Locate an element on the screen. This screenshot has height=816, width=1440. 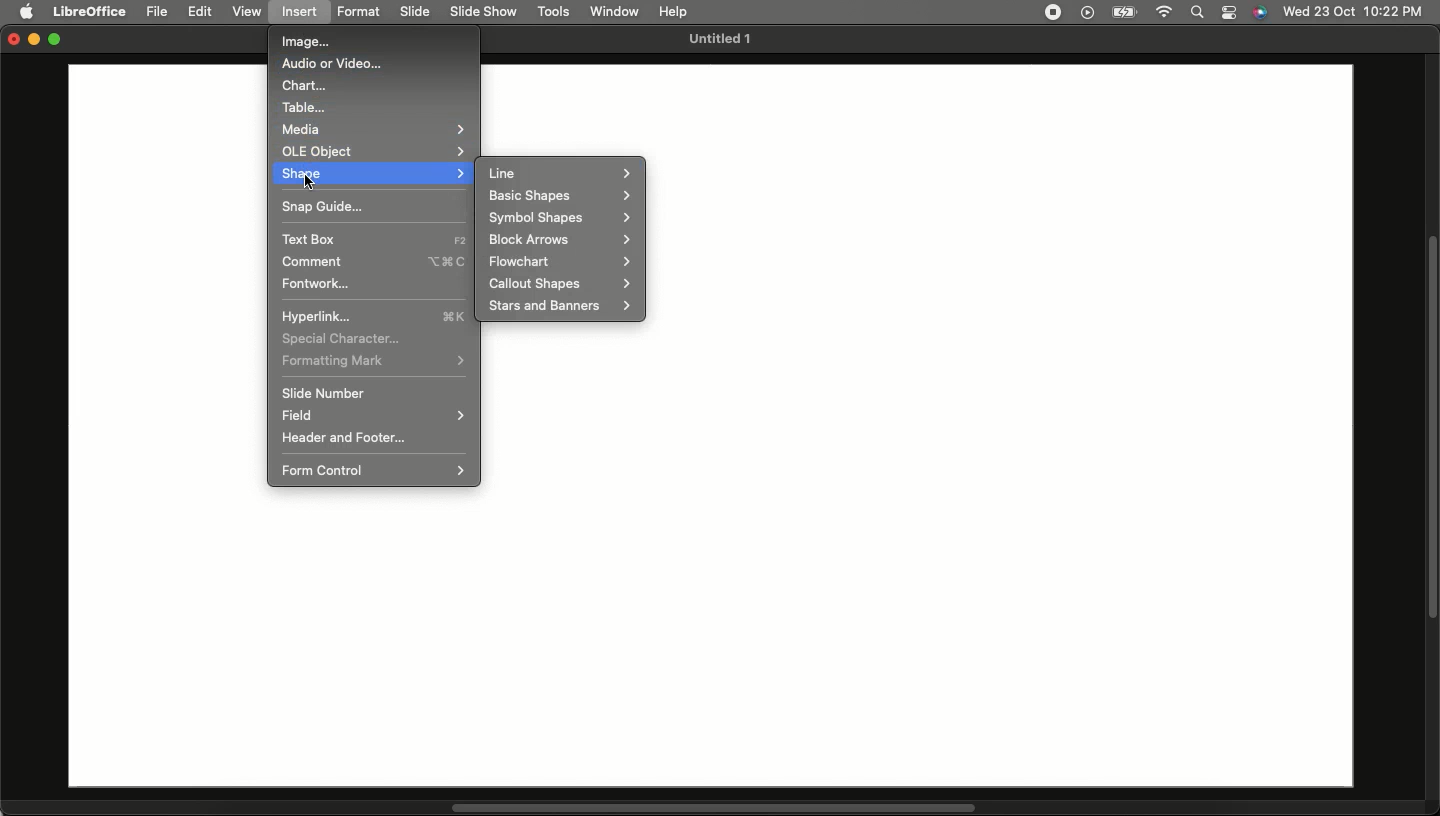
Slide number is located at coordinates (323, 393).